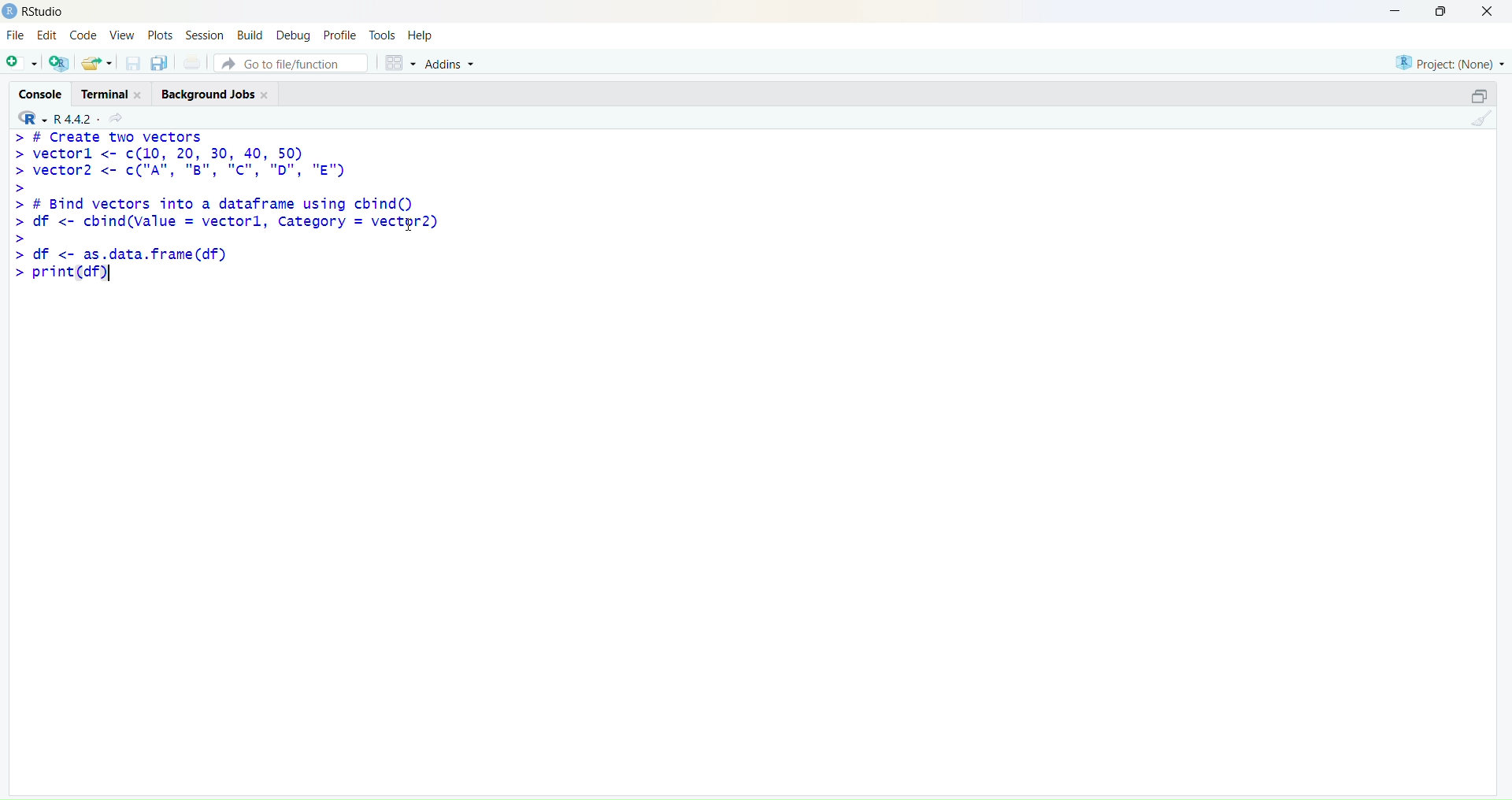 This screenshot has height=800, width=1512. I want to click on File, so click(17, 35).